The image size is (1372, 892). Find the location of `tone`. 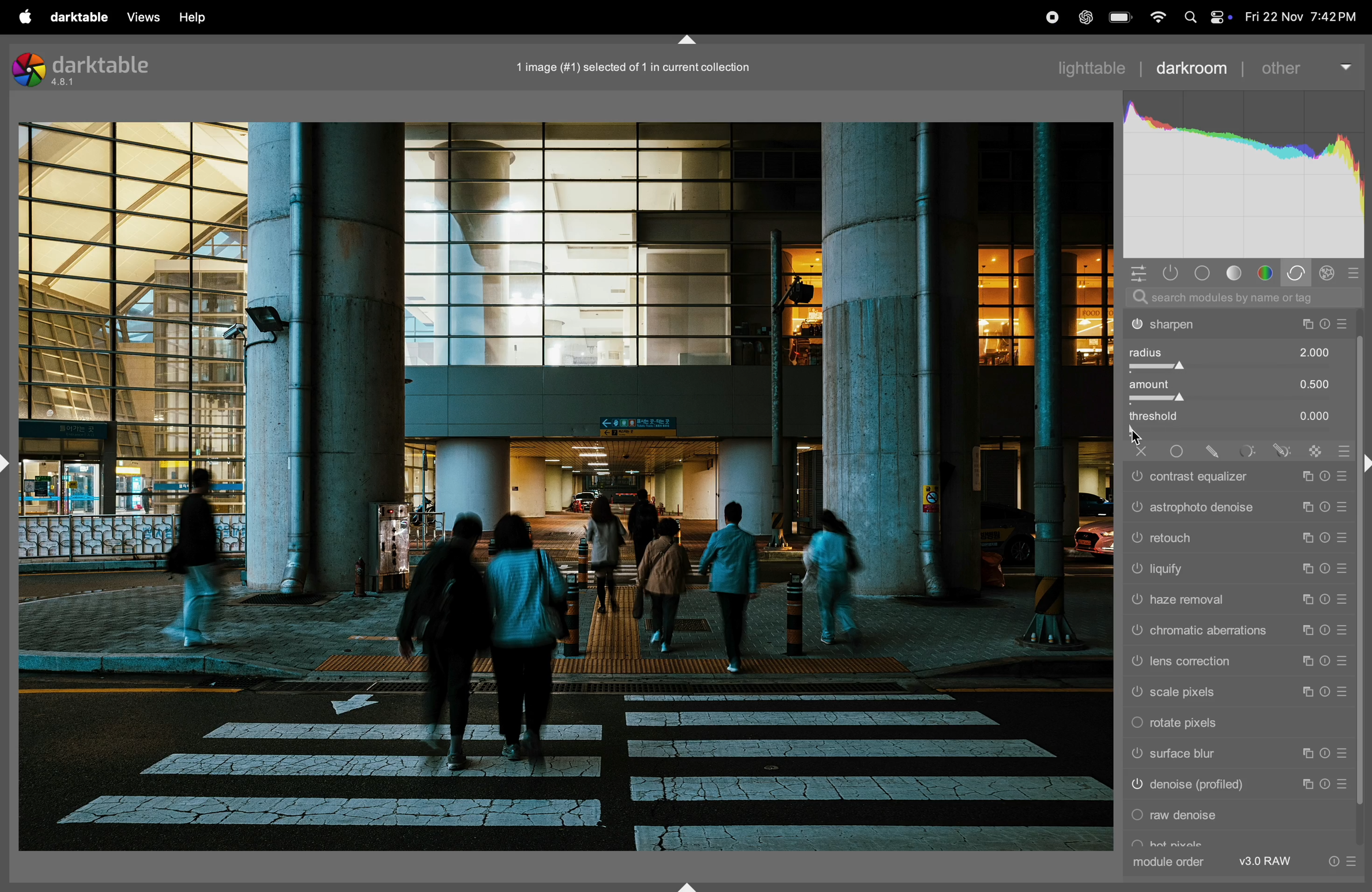

tone is located at coordinates (1237, 273).